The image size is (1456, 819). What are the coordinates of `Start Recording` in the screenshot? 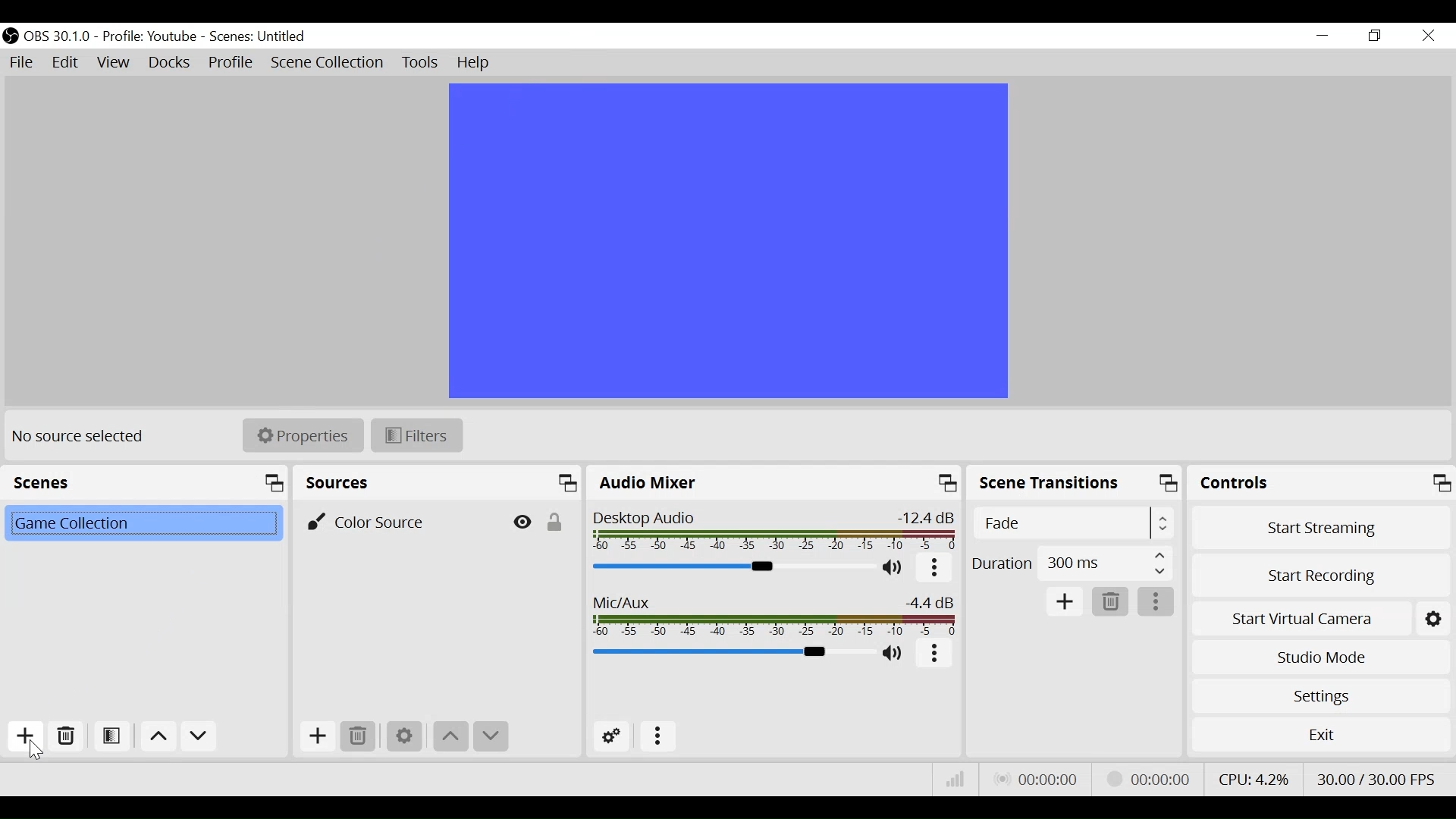 It's located at (1321, 573).